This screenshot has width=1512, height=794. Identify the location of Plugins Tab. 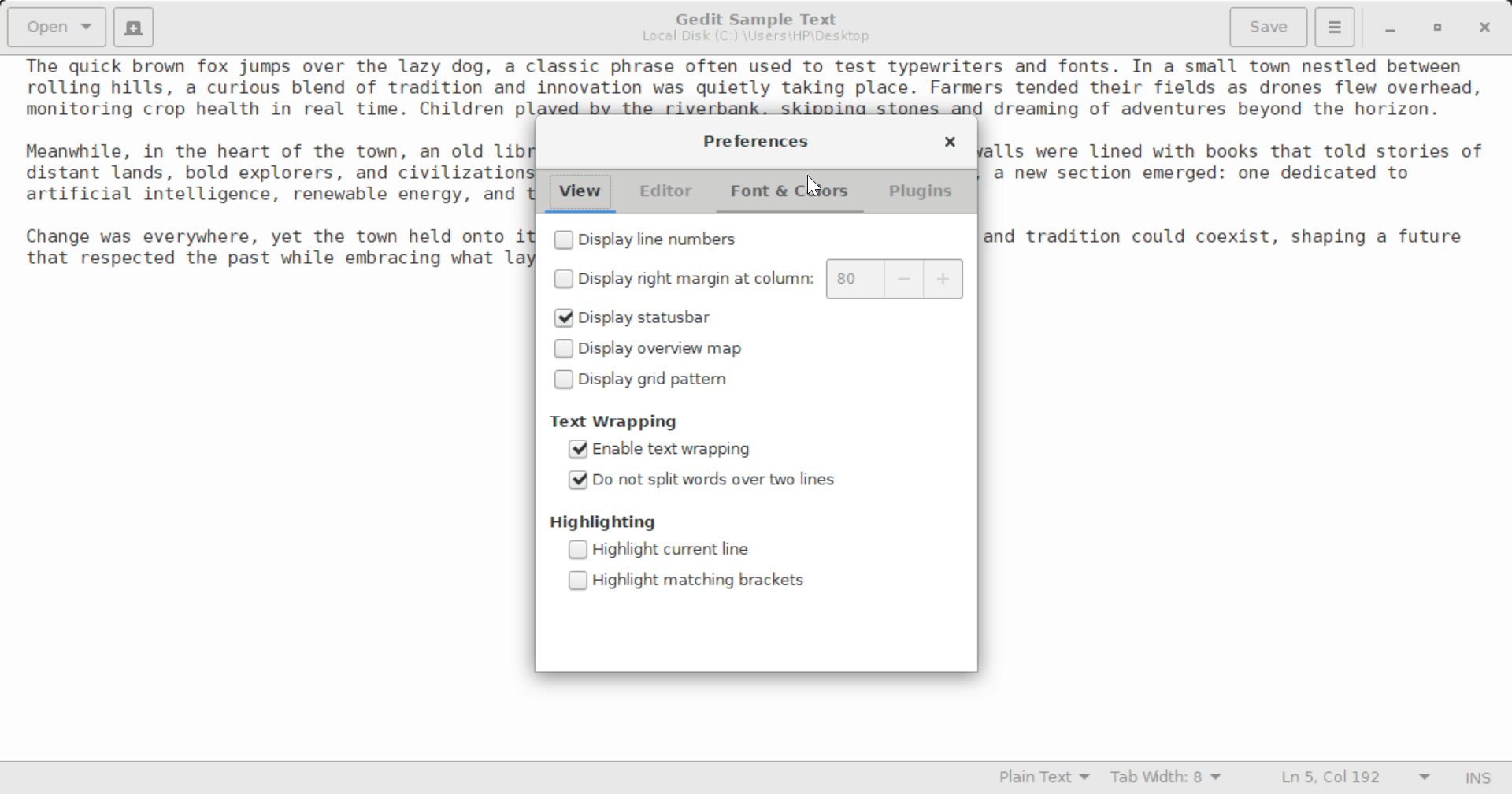
(918, 194).